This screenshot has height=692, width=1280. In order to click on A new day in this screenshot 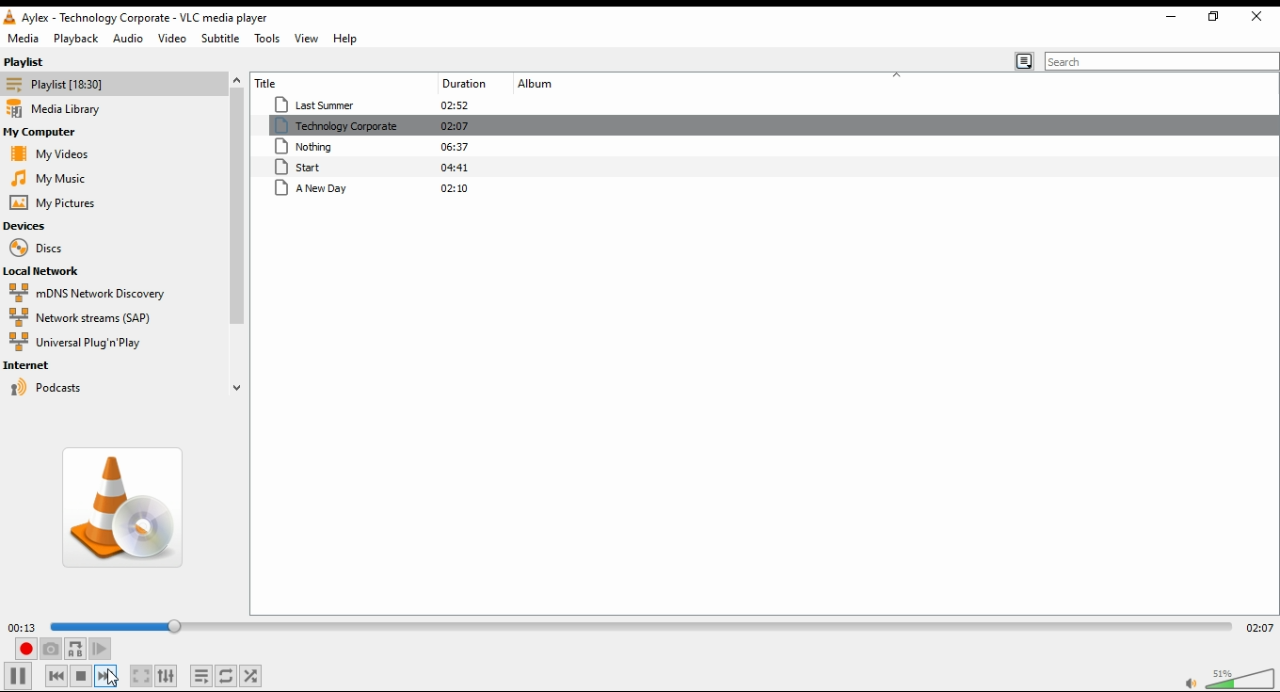, I will do `click(371, 189)`.